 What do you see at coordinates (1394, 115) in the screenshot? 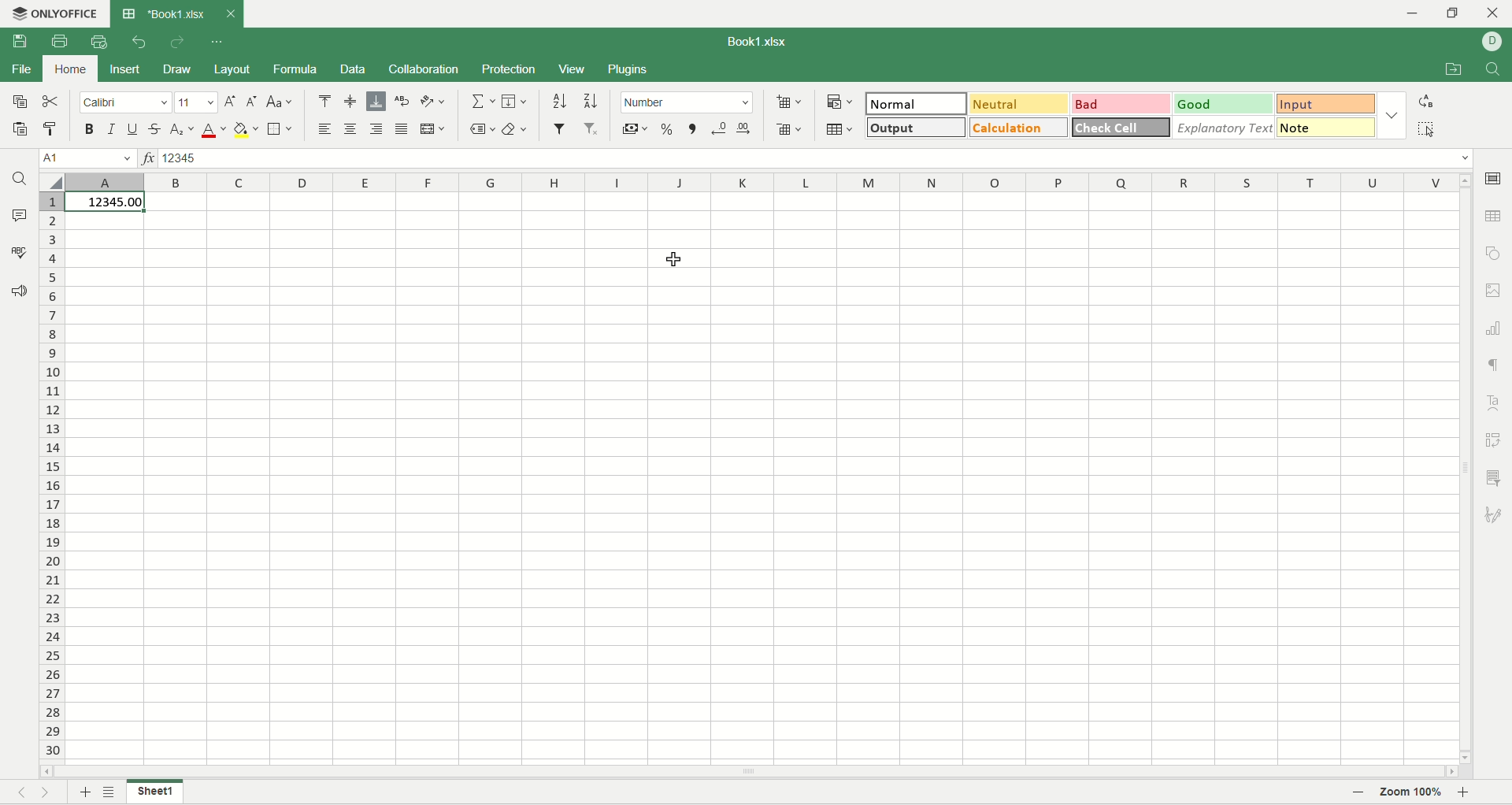
I see `style options` at bounding box center [1394, 115].